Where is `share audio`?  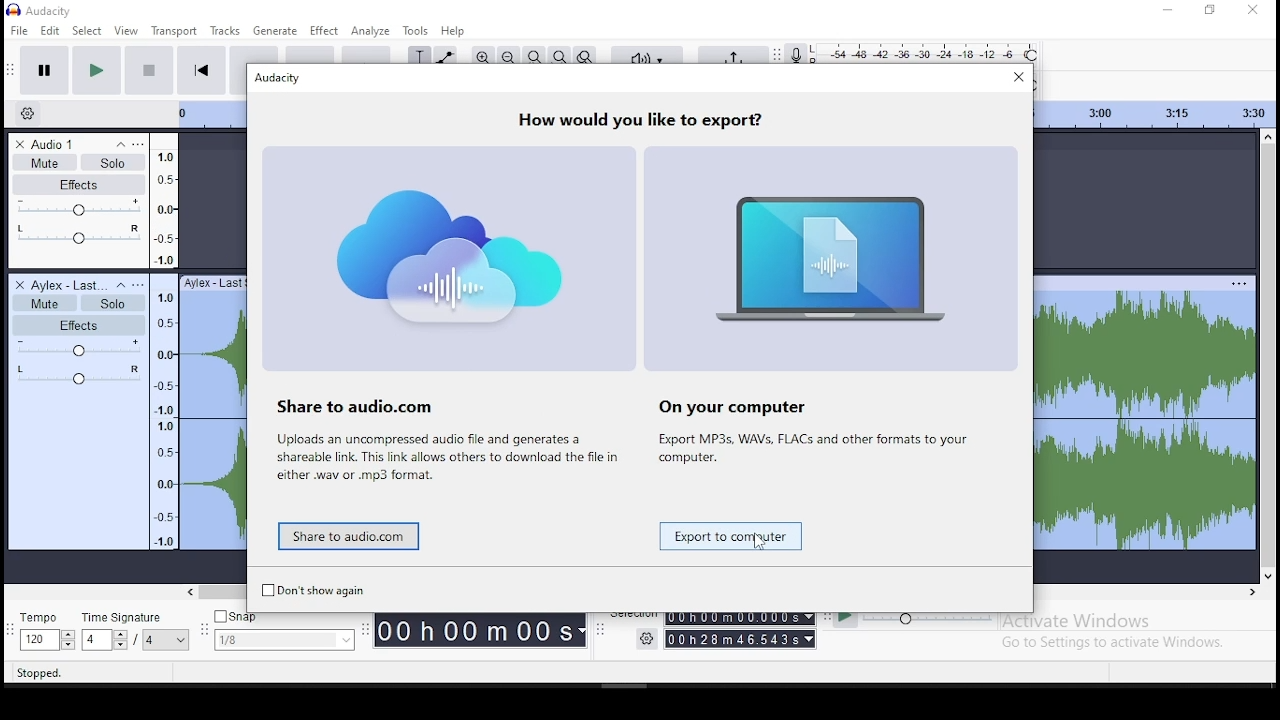
share audio is located at coordinates (730, 54).